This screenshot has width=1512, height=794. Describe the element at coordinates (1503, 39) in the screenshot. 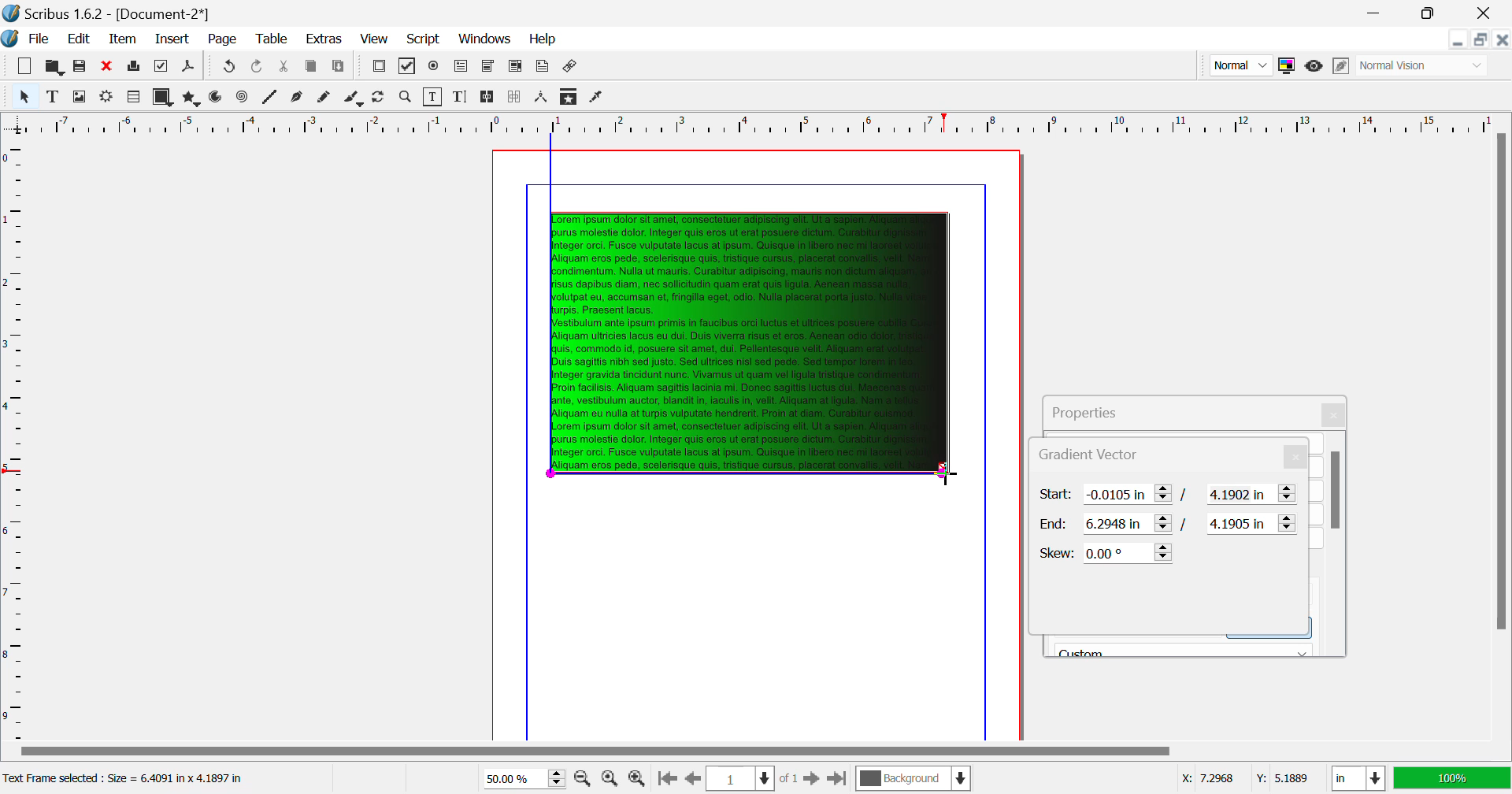

I see `Close` at that location.